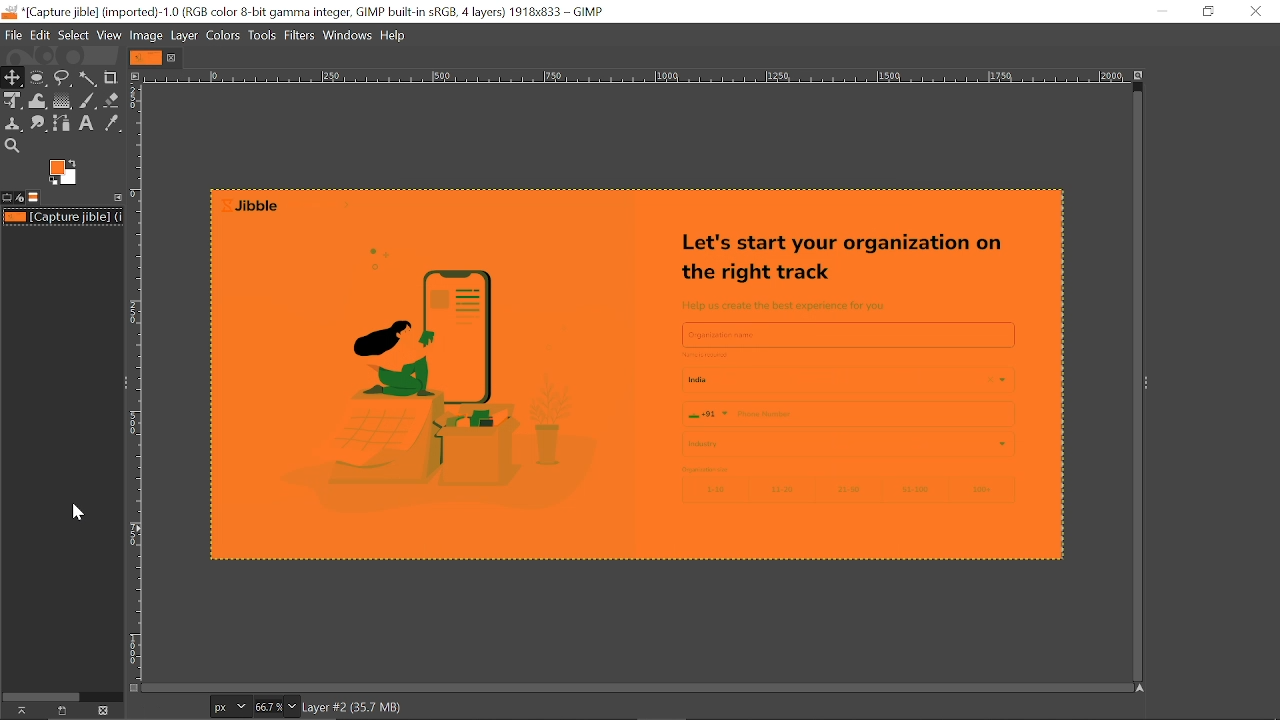 The image size is (1280, 720). I want to click on Current zoom, so click(266, 706).